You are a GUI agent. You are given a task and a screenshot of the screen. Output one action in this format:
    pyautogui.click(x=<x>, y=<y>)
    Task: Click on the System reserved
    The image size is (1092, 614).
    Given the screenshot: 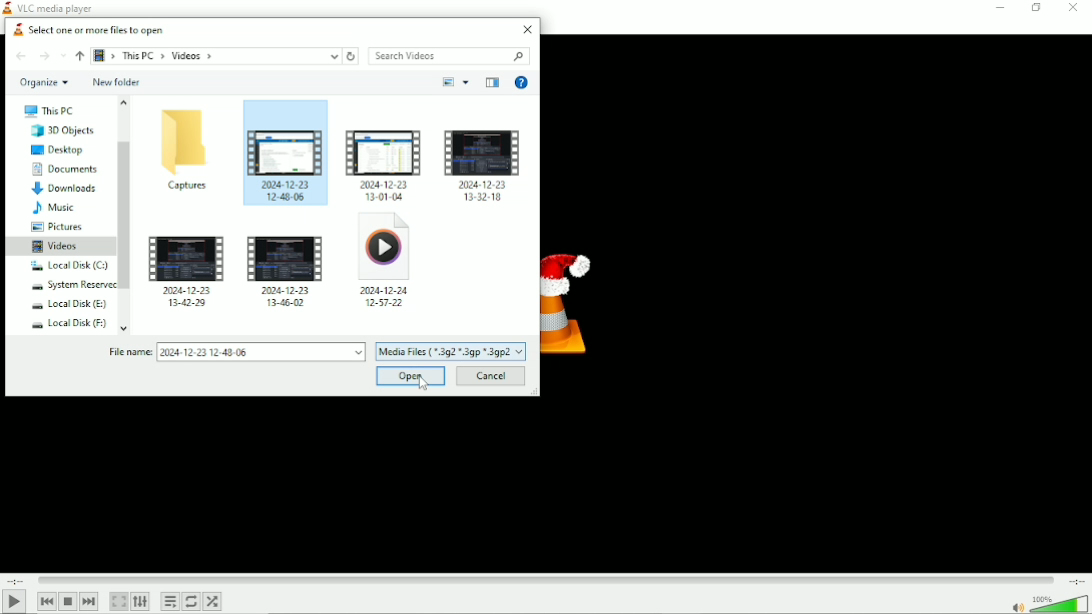 What is the action you would take?
    pyautogui.click(x=67, y=285)
    